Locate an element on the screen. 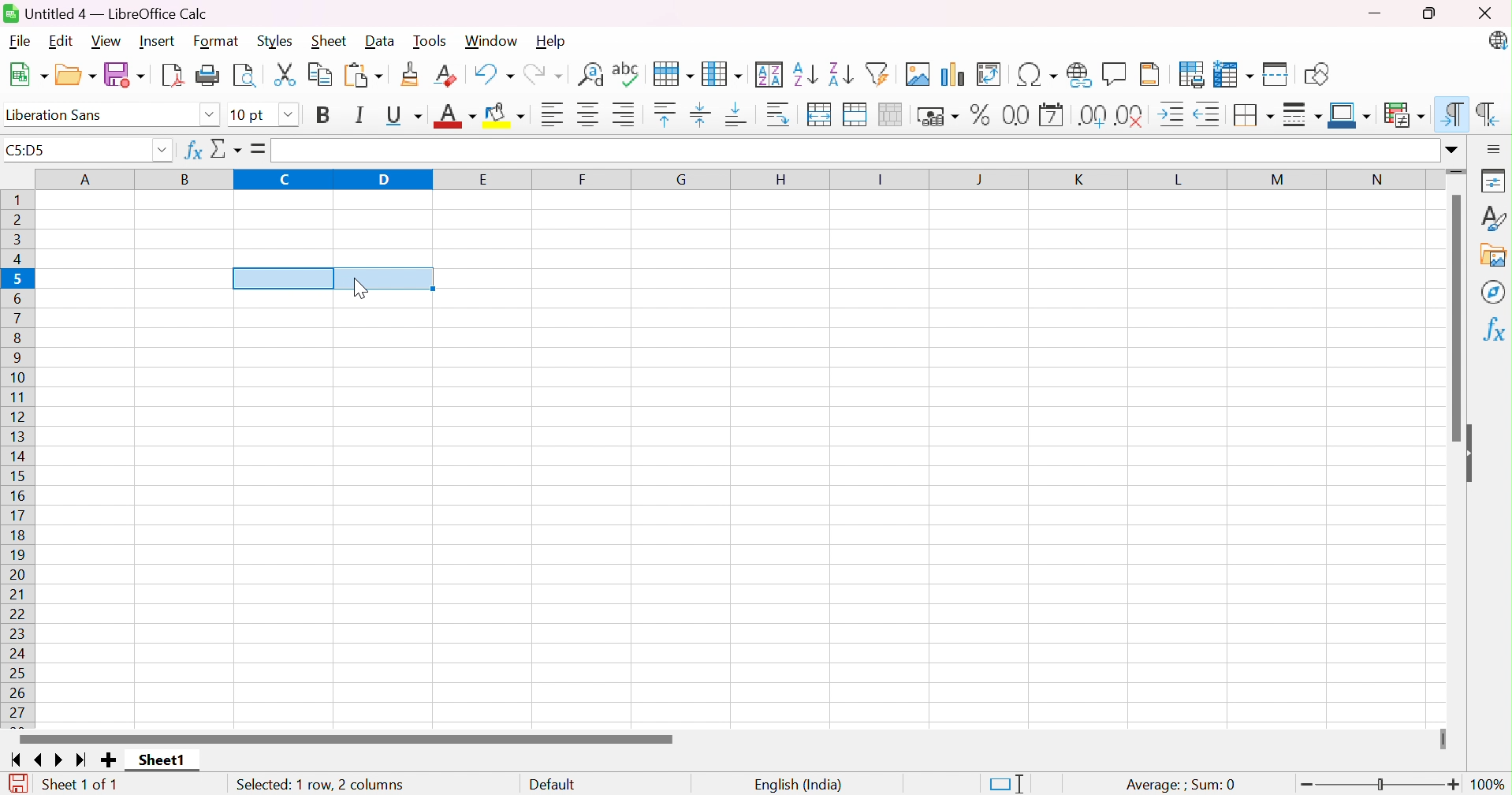 Image resolution: width=1512 pixels, height=795 pixels. Insert is located at coordinates (158, 40).